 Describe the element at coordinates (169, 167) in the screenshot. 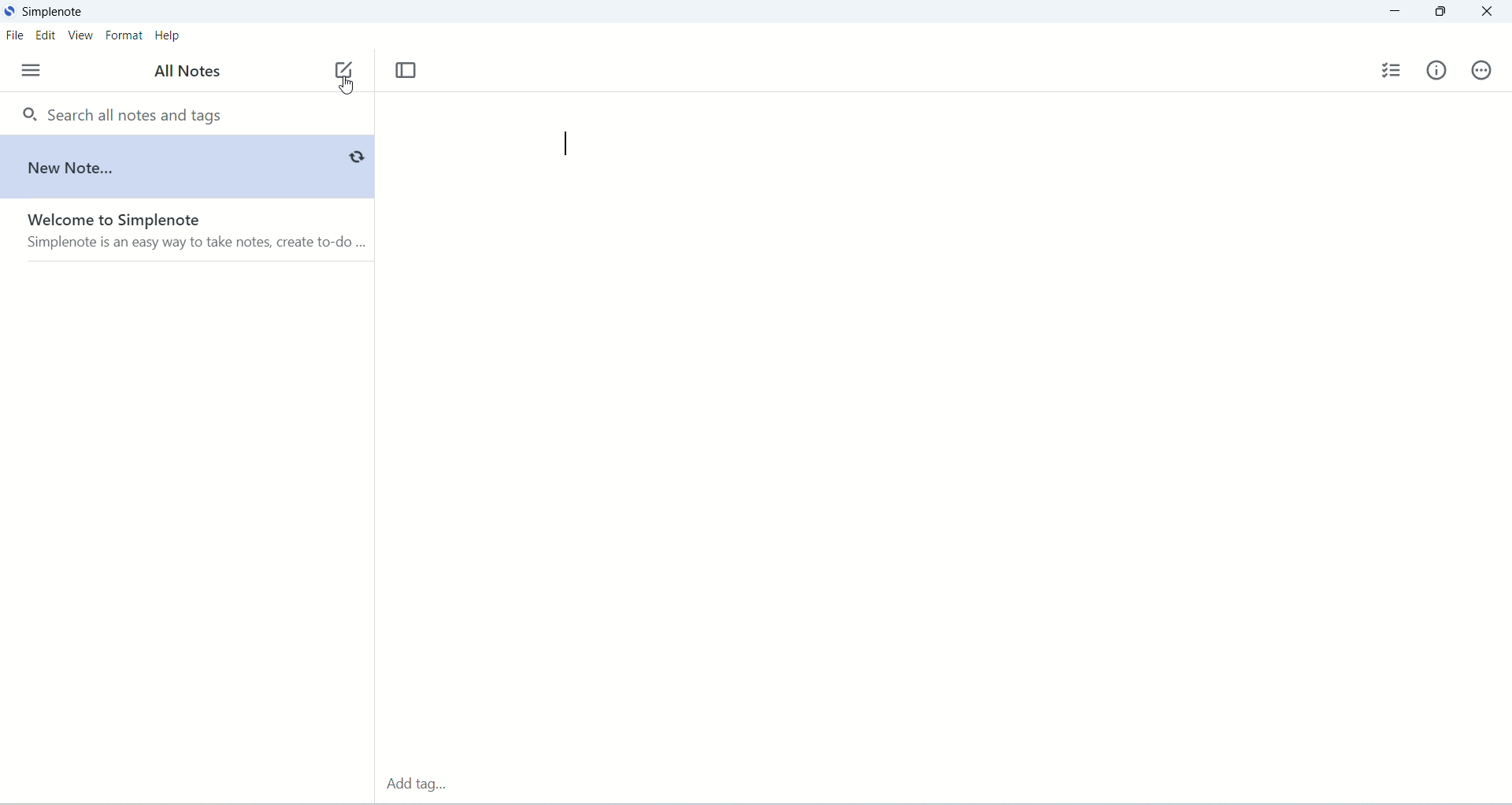

I see `new note` at that location.